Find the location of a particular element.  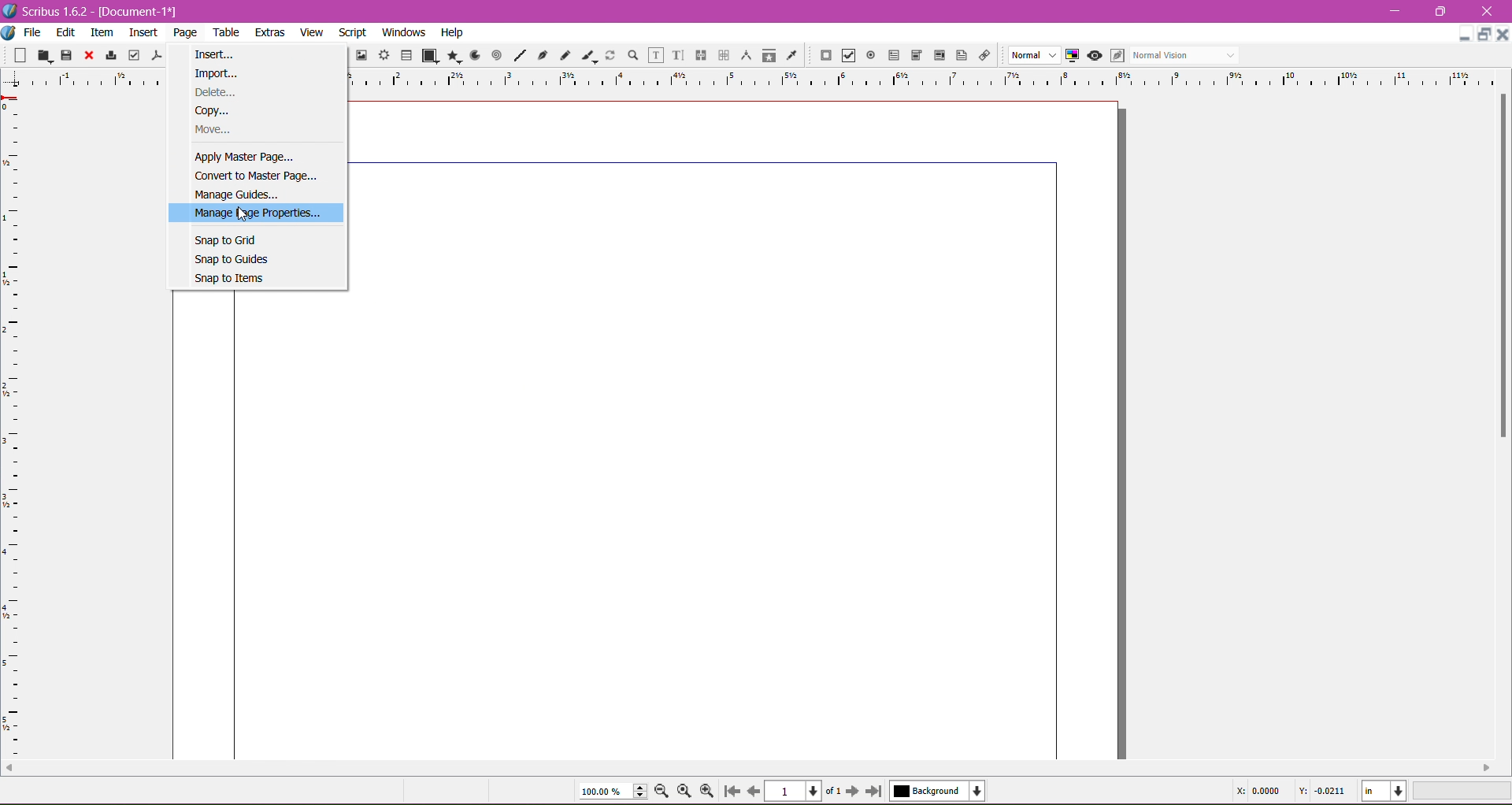

Application Name, Version - Document Title is located at coordinates (106, 12).